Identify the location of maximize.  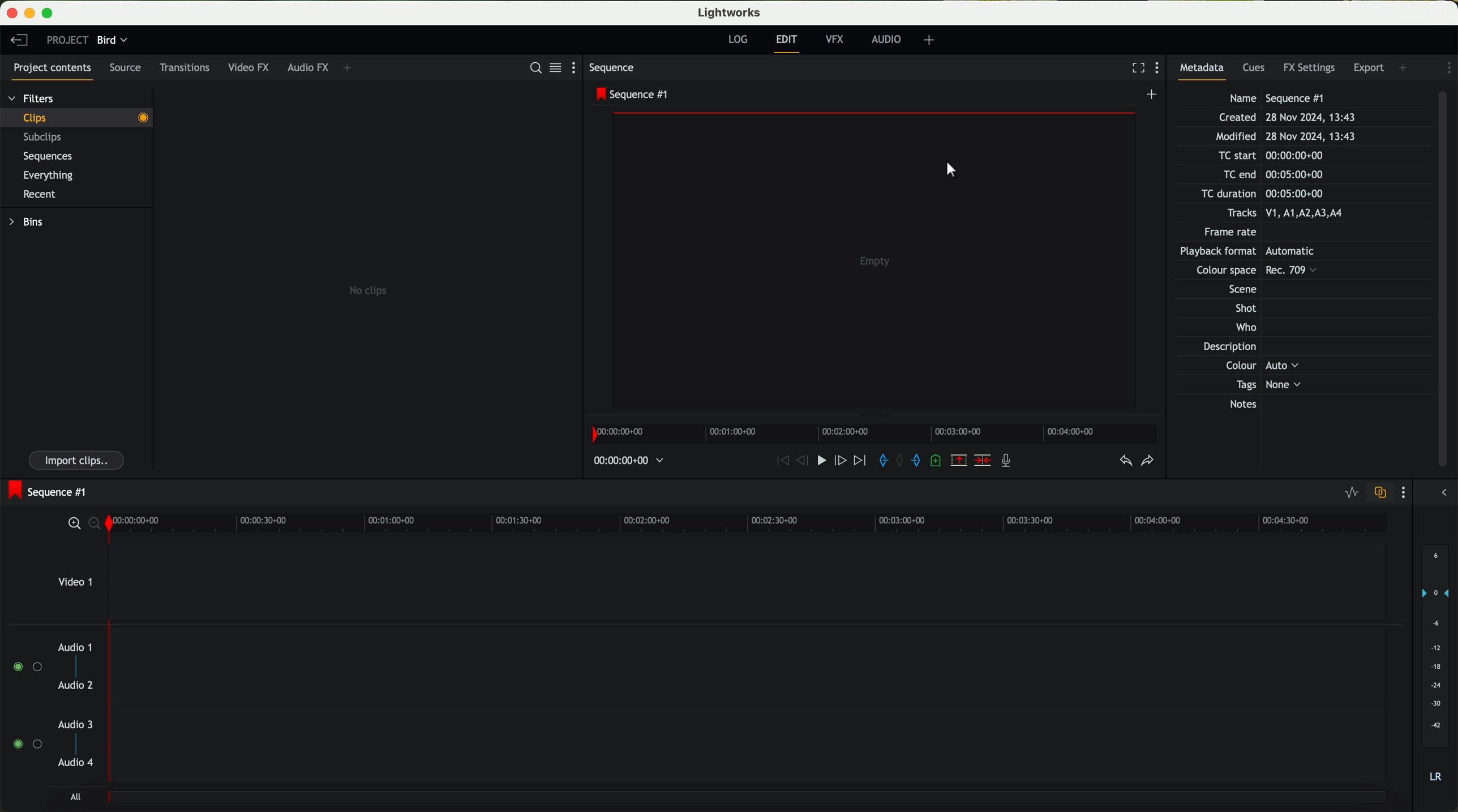
(52, 12).